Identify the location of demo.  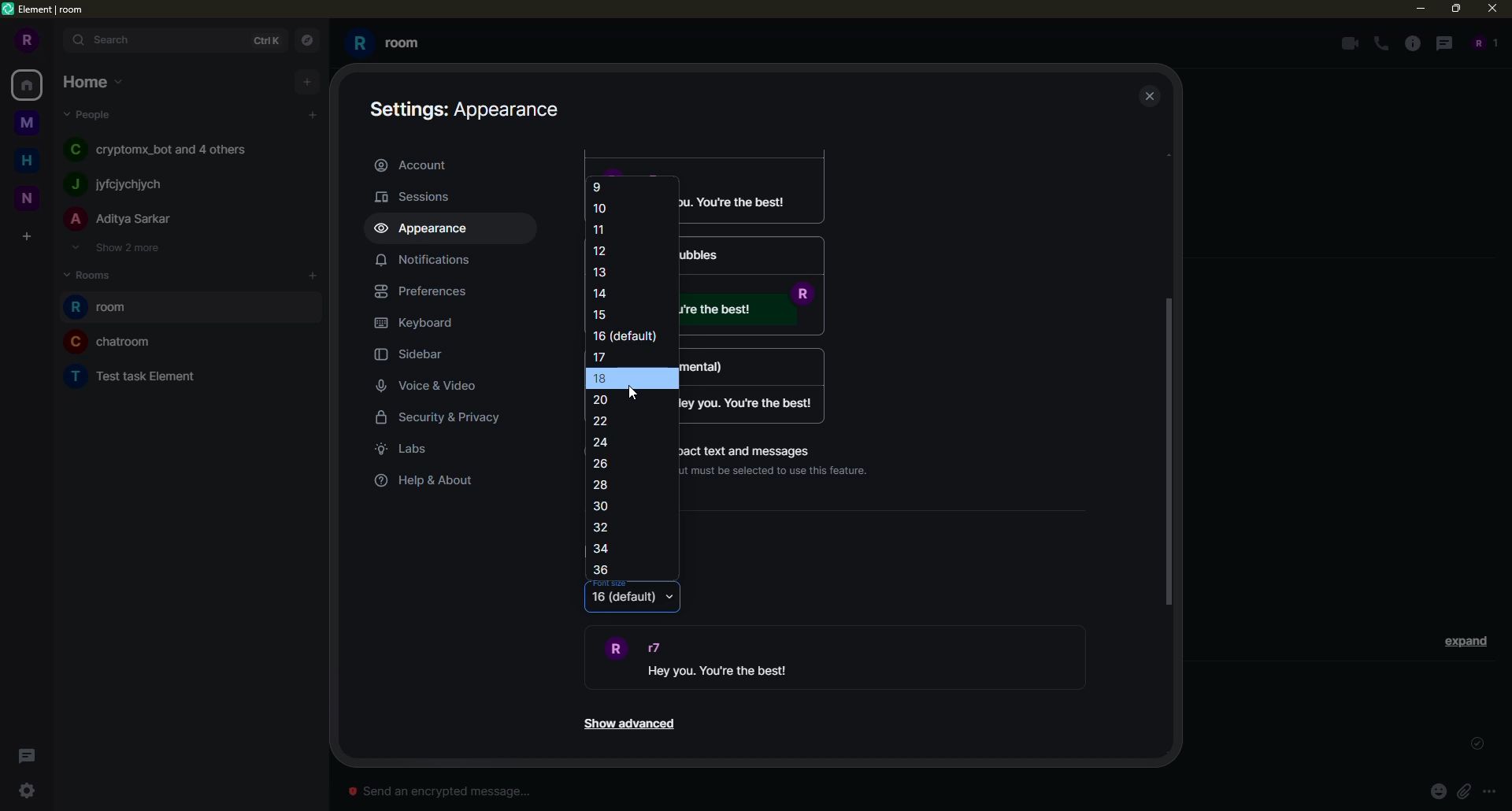
(735, 659).